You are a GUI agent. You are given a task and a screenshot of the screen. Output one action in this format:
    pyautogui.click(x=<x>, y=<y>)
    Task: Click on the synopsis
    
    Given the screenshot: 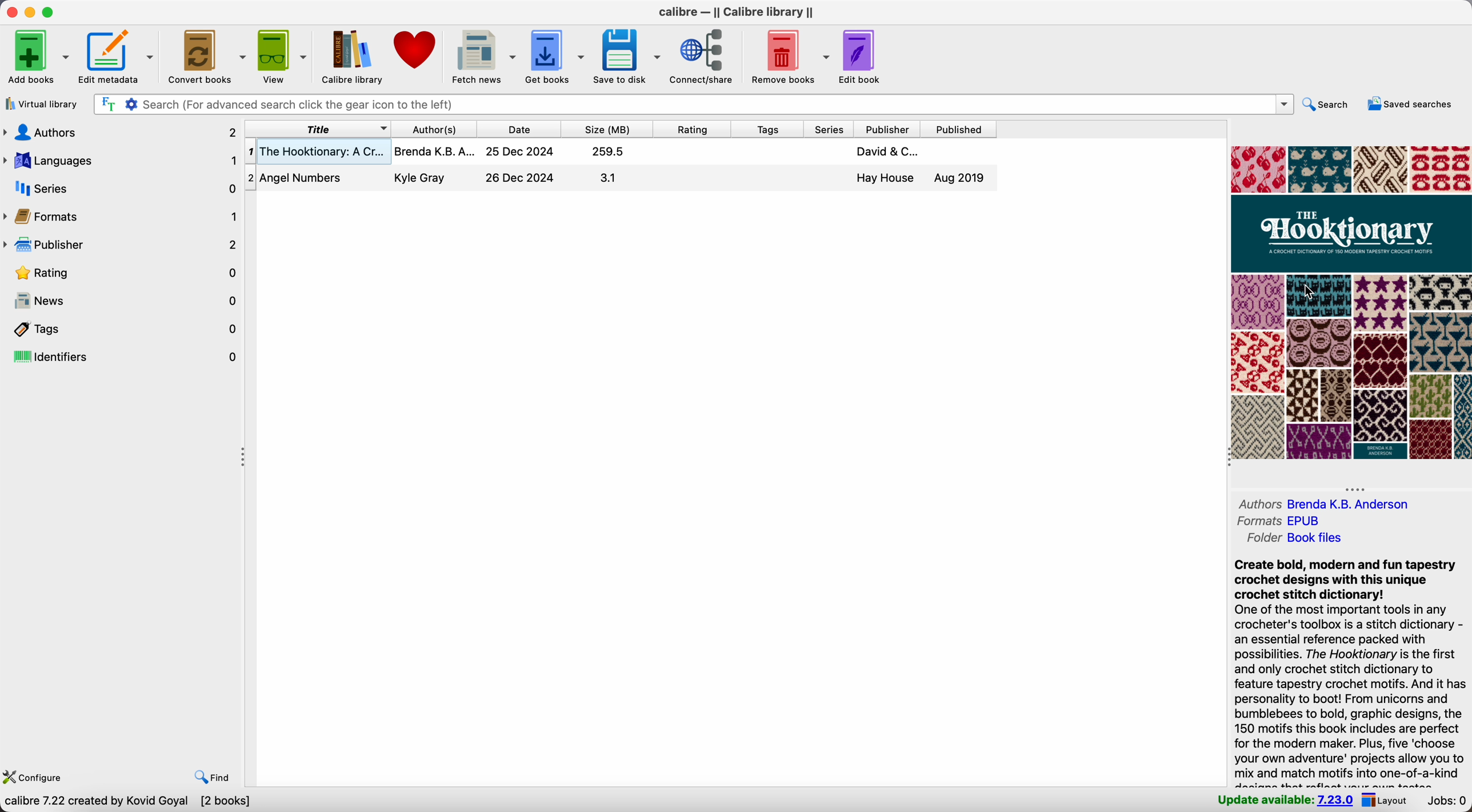 What is the action you would take?
    pyautogui.click(x=1350, y=670)
    